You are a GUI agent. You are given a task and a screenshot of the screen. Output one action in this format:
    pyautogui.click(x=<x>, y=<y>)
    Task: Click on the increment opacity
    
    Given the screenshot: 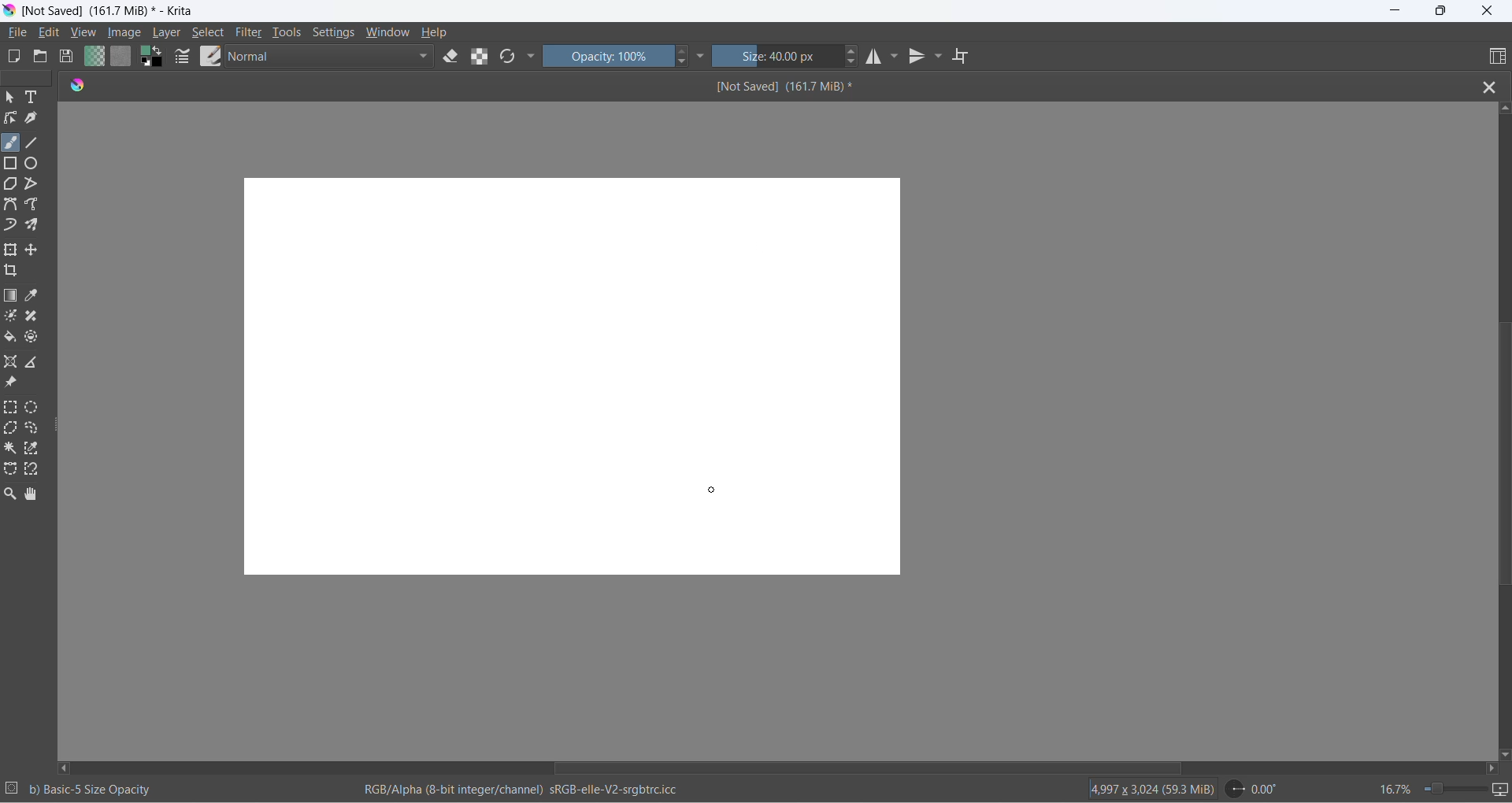 What is the action you would take?
    pyautogui.click(x=683, y=52)
    